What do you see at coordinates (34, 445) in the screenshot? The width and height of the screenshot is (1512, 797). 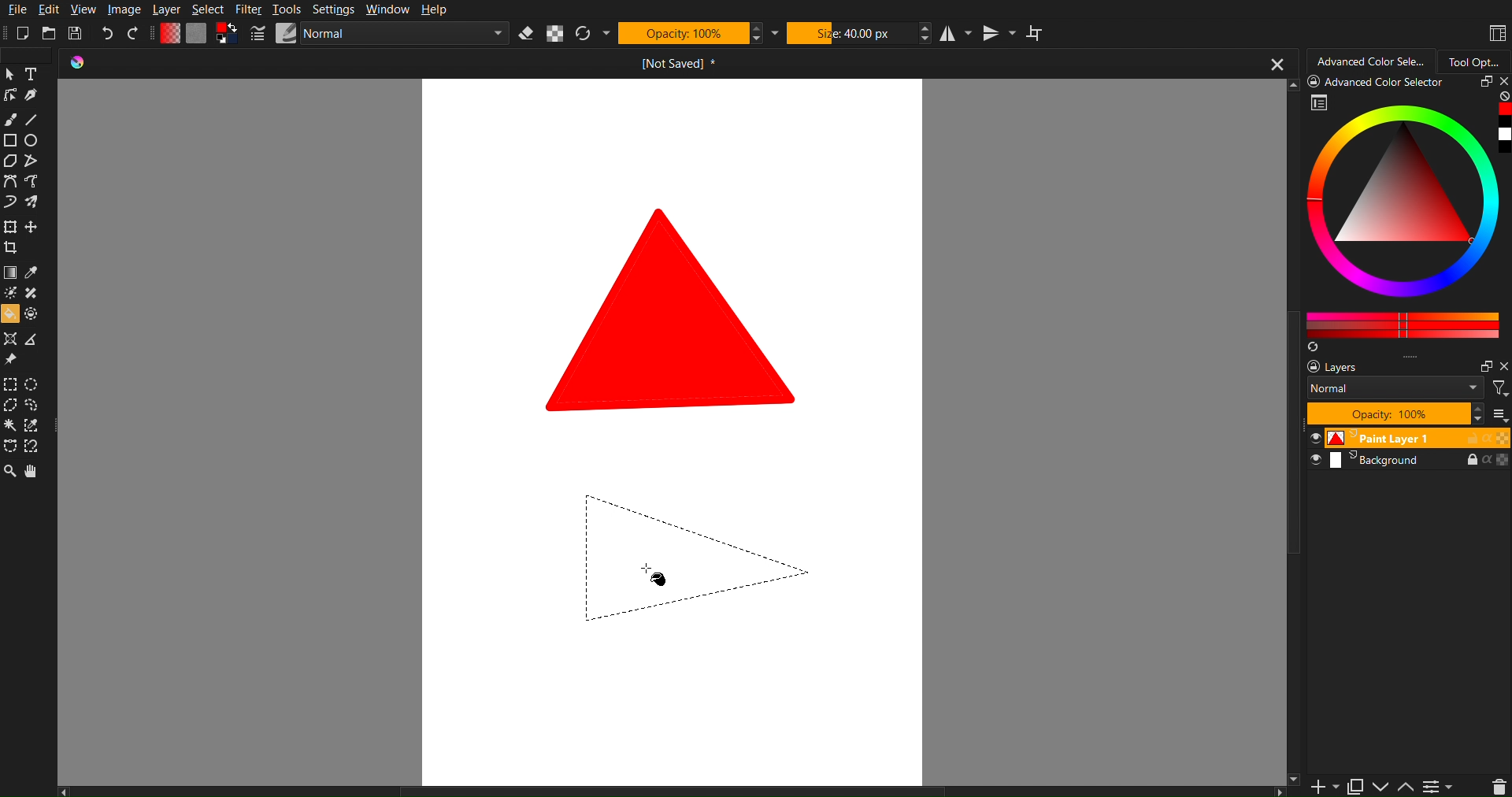 I see `Angle` at bounding box center [34, 445].